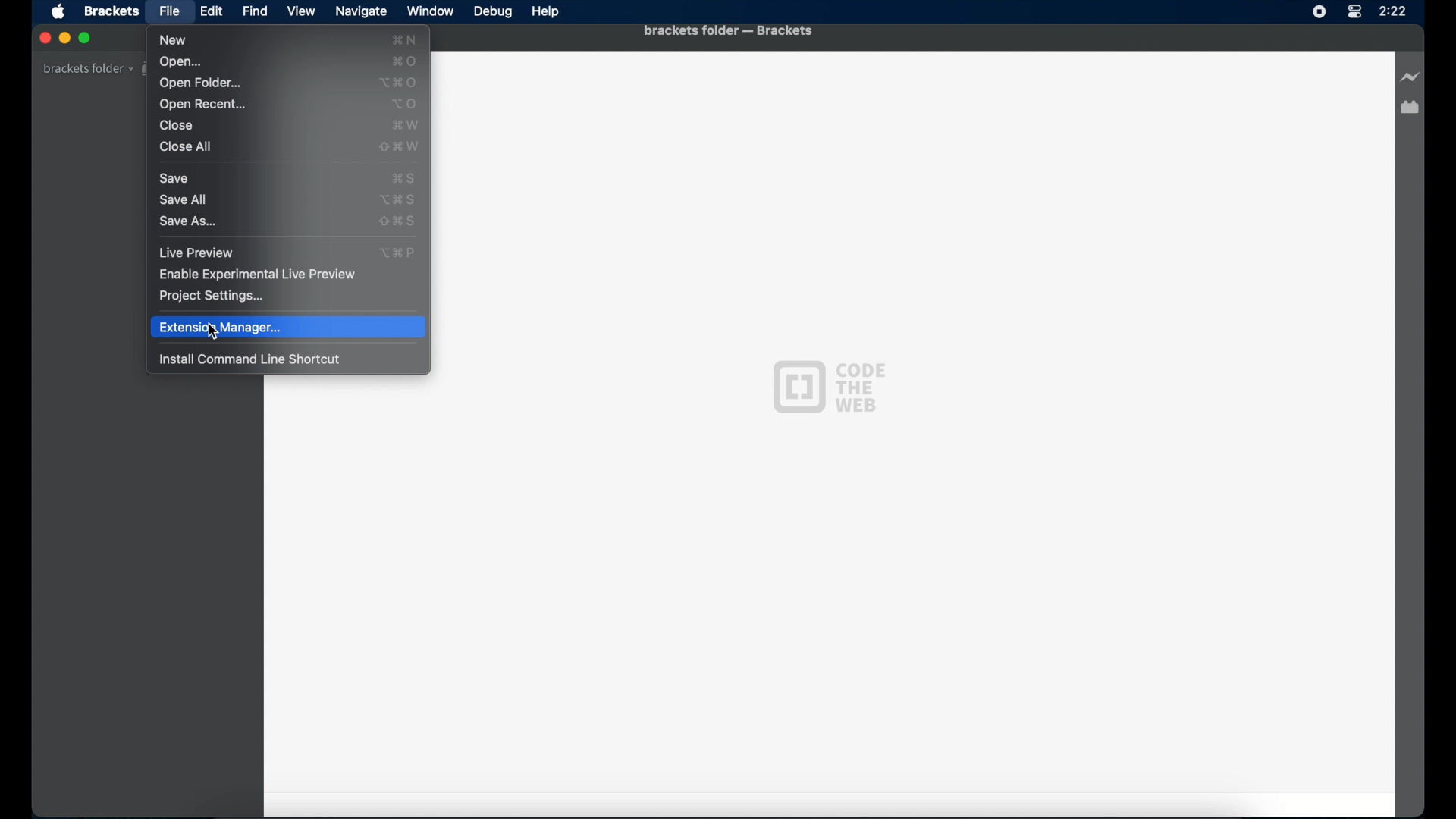 The image size is (1456, 819). Describe the element at coordinates (397, 221) in the screenshot. I see `save as shortcut` at that location.